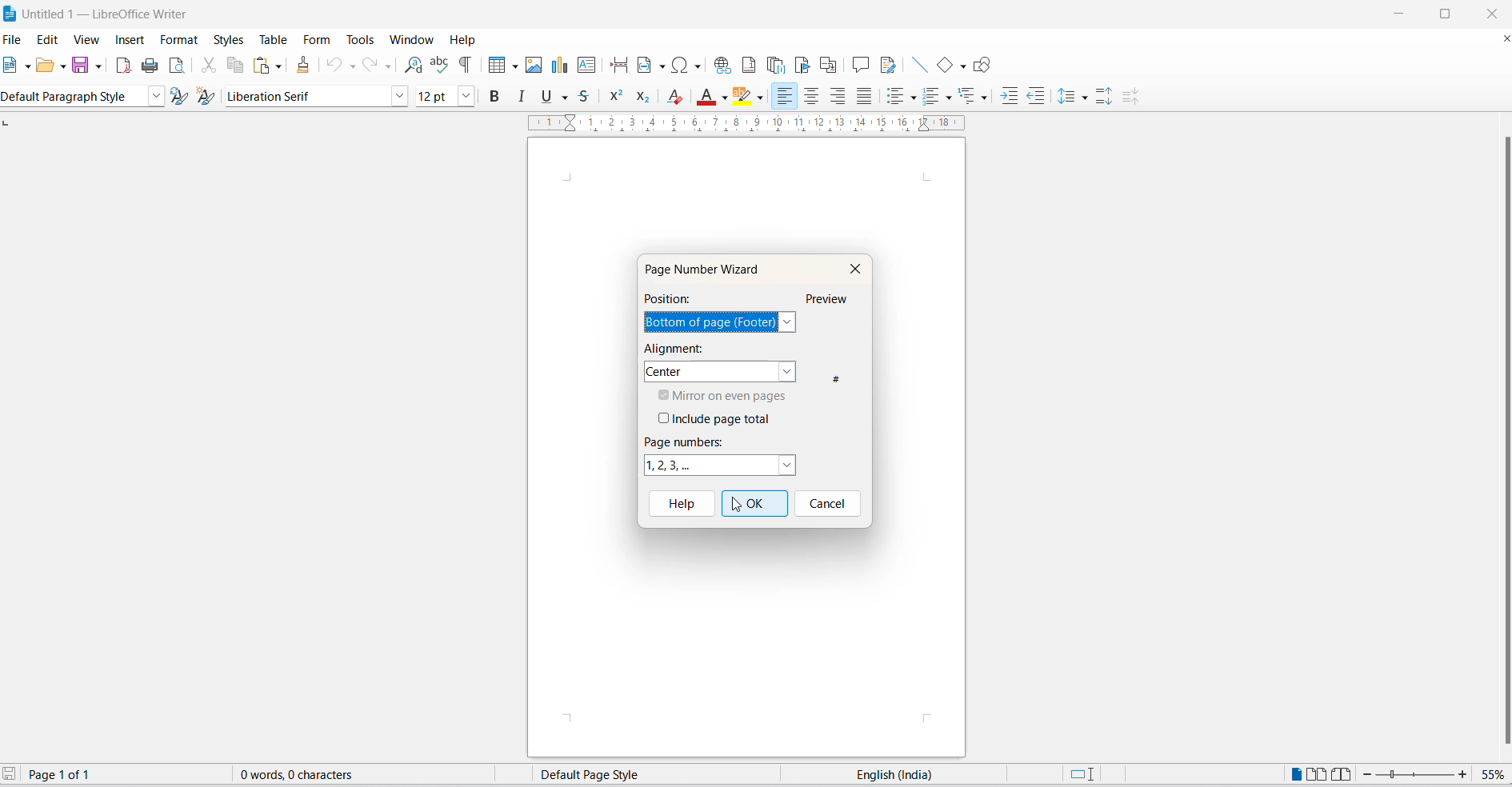 Image resolution: width=1512 pixels, height=787 pixels. Describe the element at coordinates (942, 65) in the screenshot. I see `basic shapes` at that location.